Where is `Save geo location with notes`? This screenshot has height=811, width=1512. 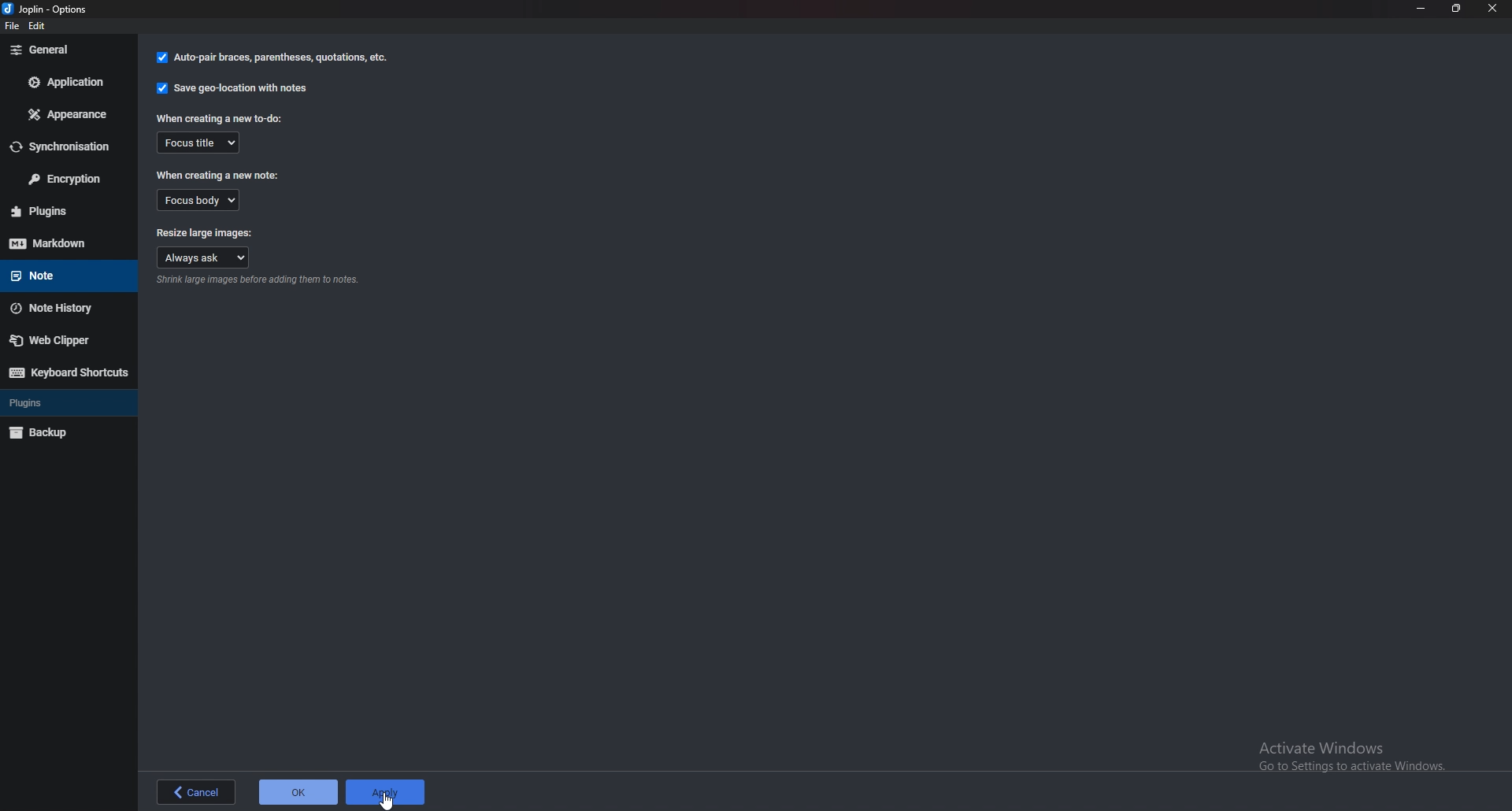
Save geo location with notes is located at coordinates (238, 88).